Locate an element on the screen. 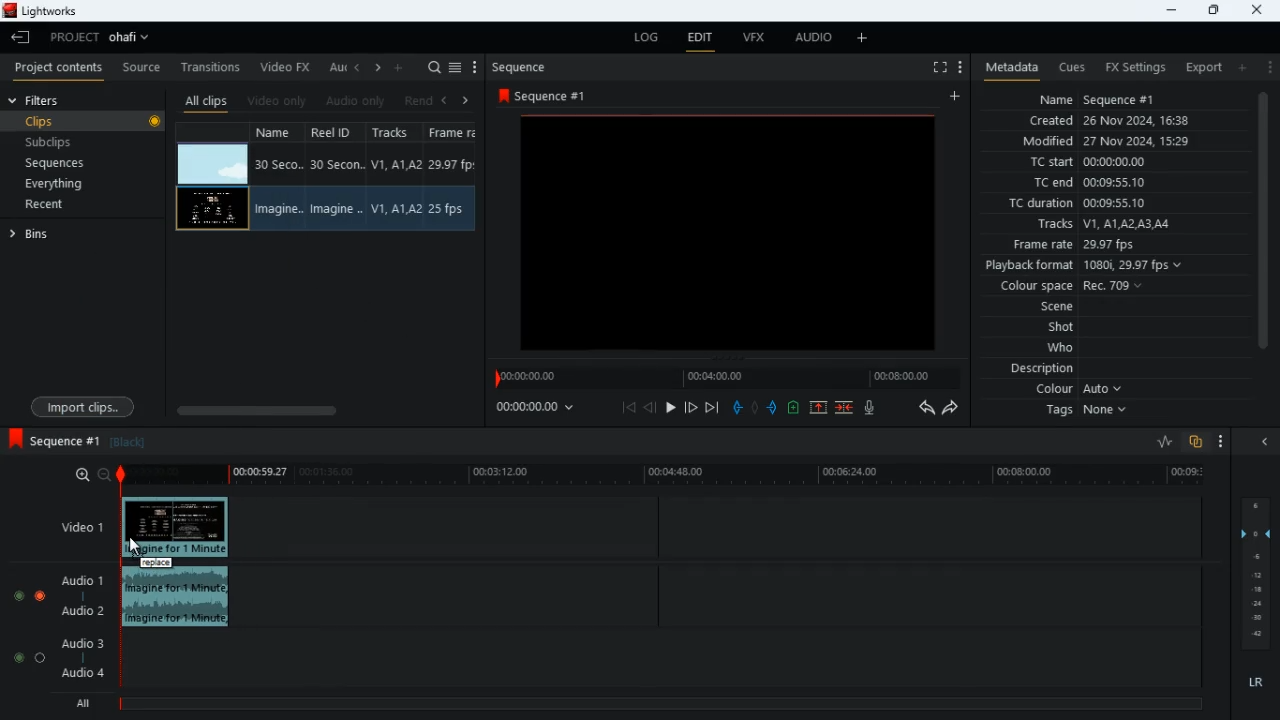 The image size is (1280, 720). fx settings is located at coordinates (1134, 66).